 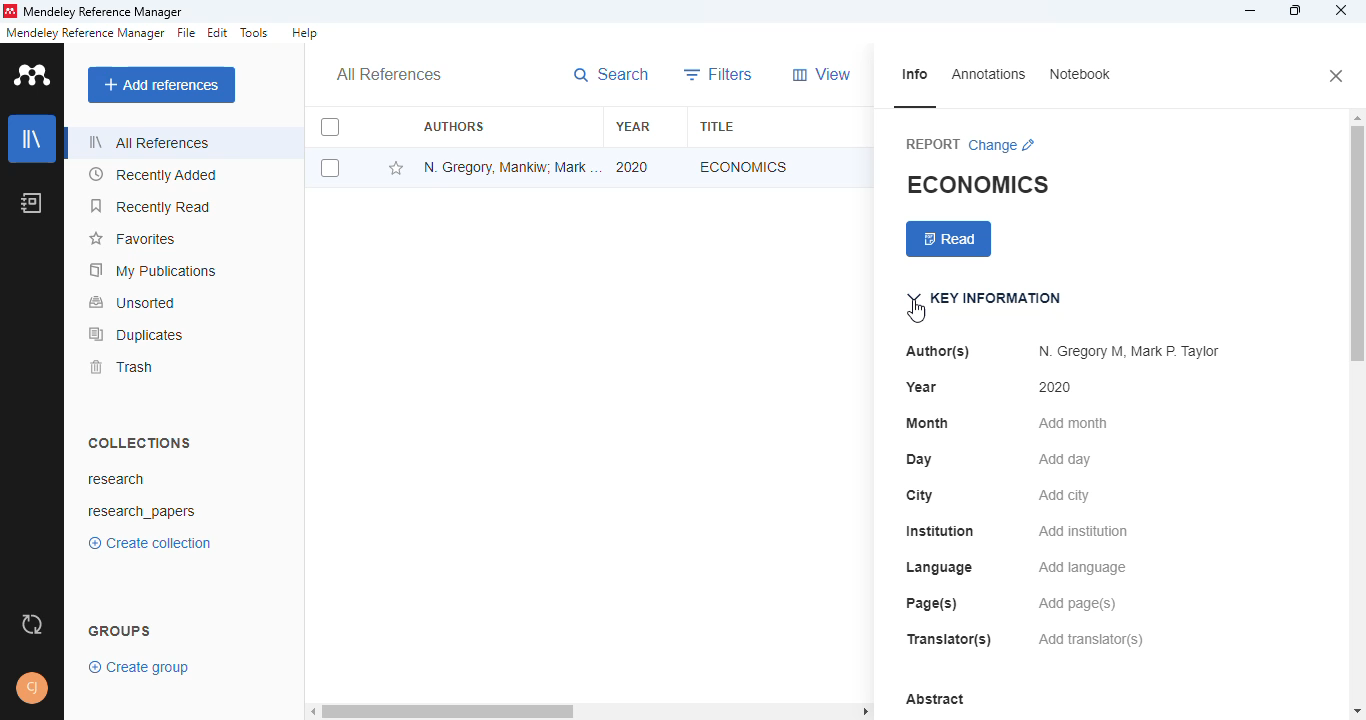 What do you see at coordinates (821, 74) in the screenshot?
I see `view` at bounding box center [821, 74].